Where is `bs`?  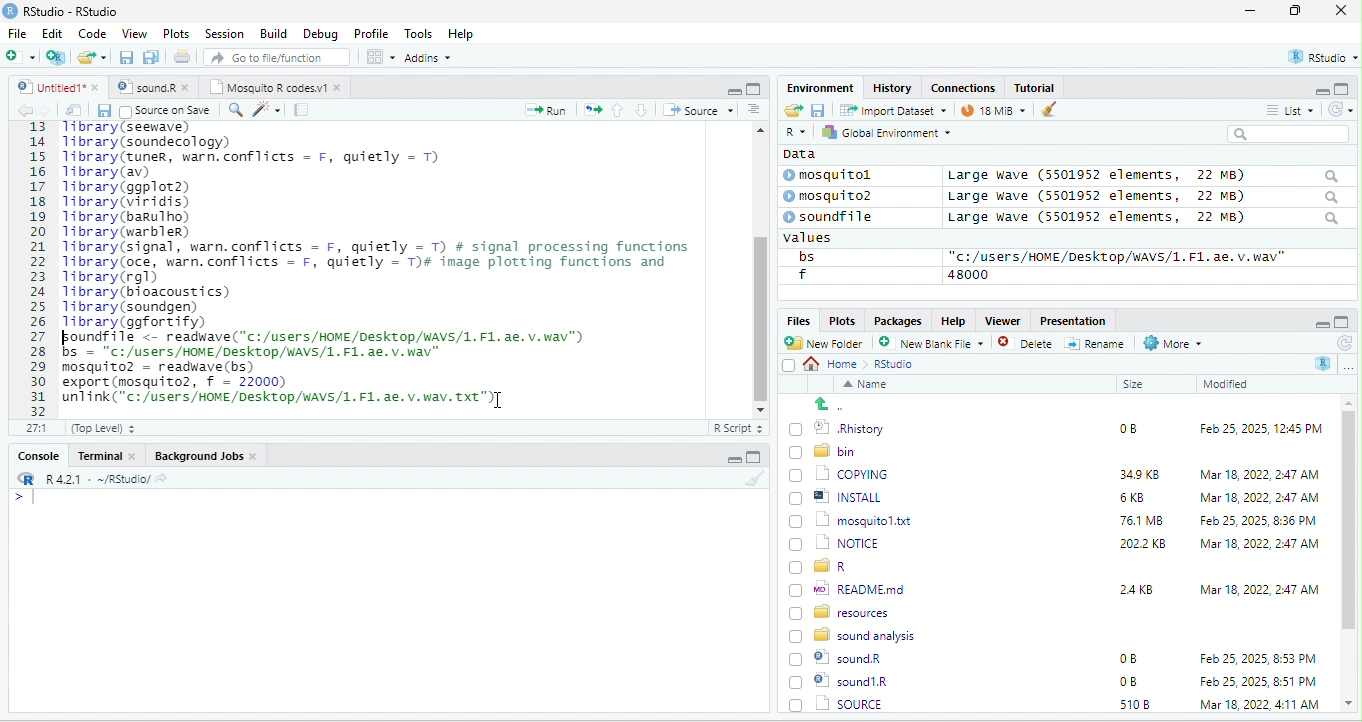
bs is located at coordinates (803, 256).